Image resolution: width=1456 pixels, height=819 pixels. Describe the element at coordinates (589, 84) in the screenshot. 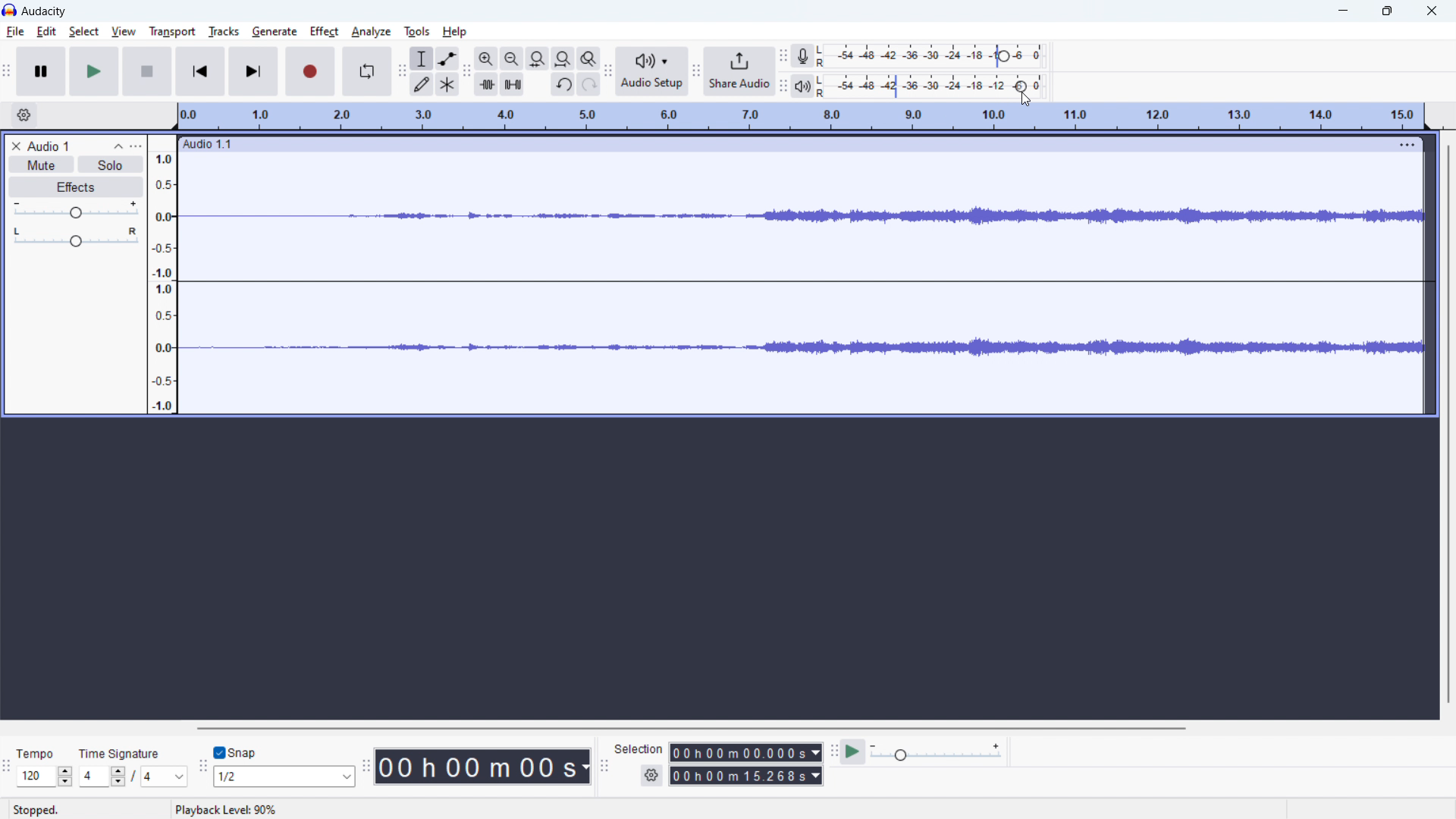

I see `redo` at that location.